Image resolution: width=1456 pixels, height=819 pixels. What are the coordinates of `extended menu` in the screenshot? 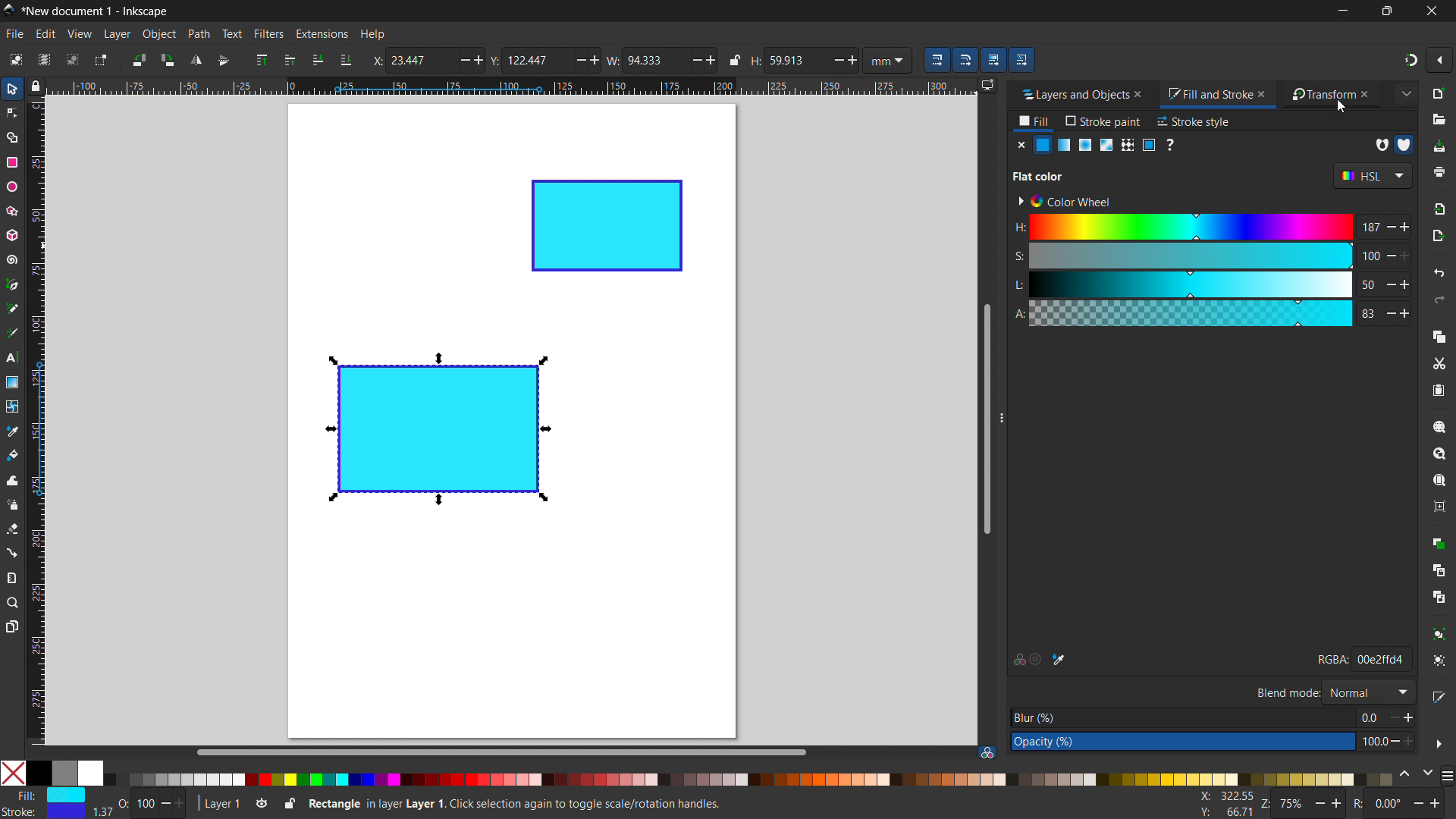 It's located at (1406, 93).